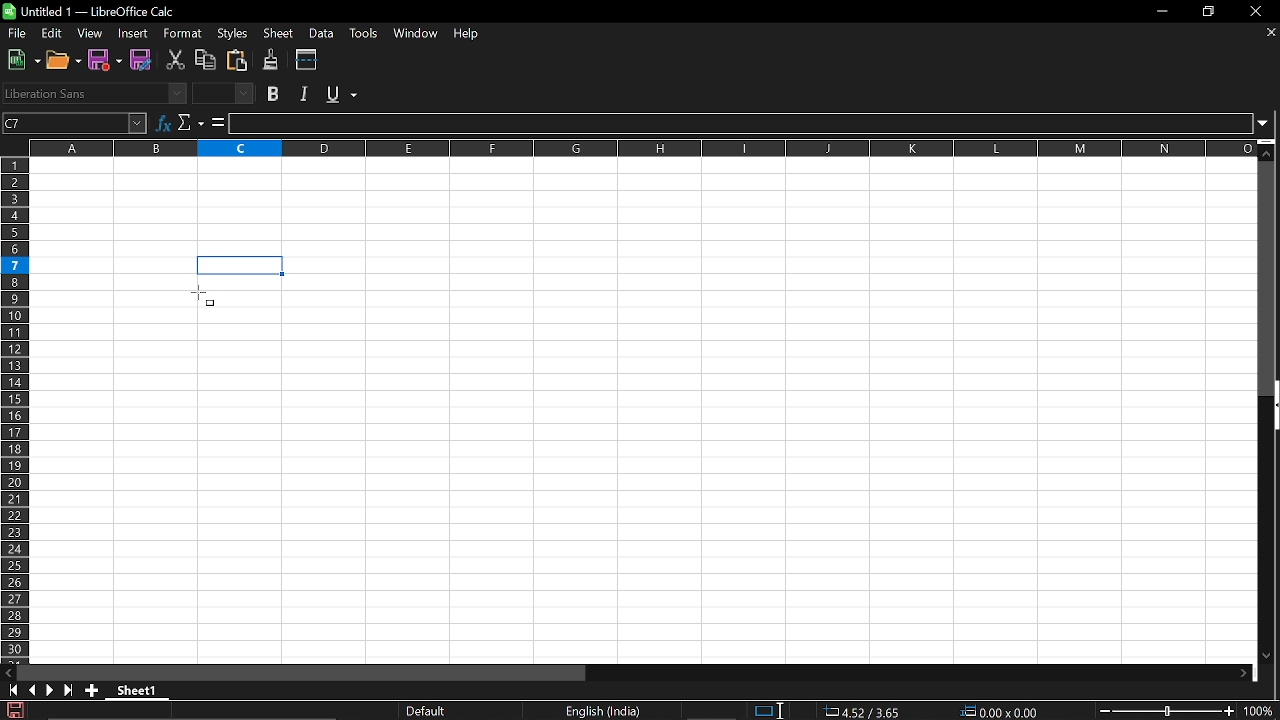  I want to click on Name box, so click(75, 122).